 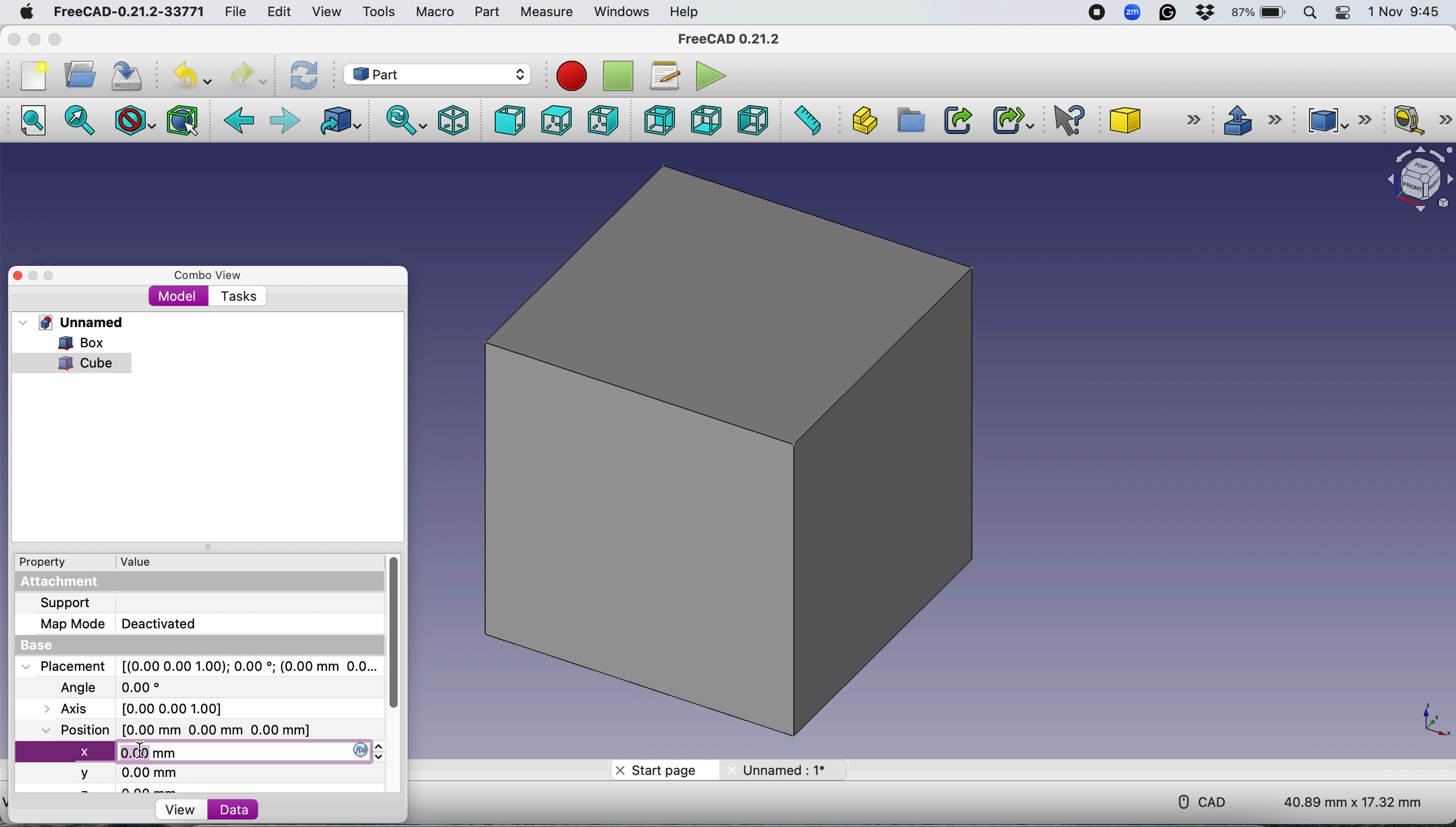 What do you see at coordinates (14, 39) in the screenshot?
I see `Close` at bounding box center [14, 39].